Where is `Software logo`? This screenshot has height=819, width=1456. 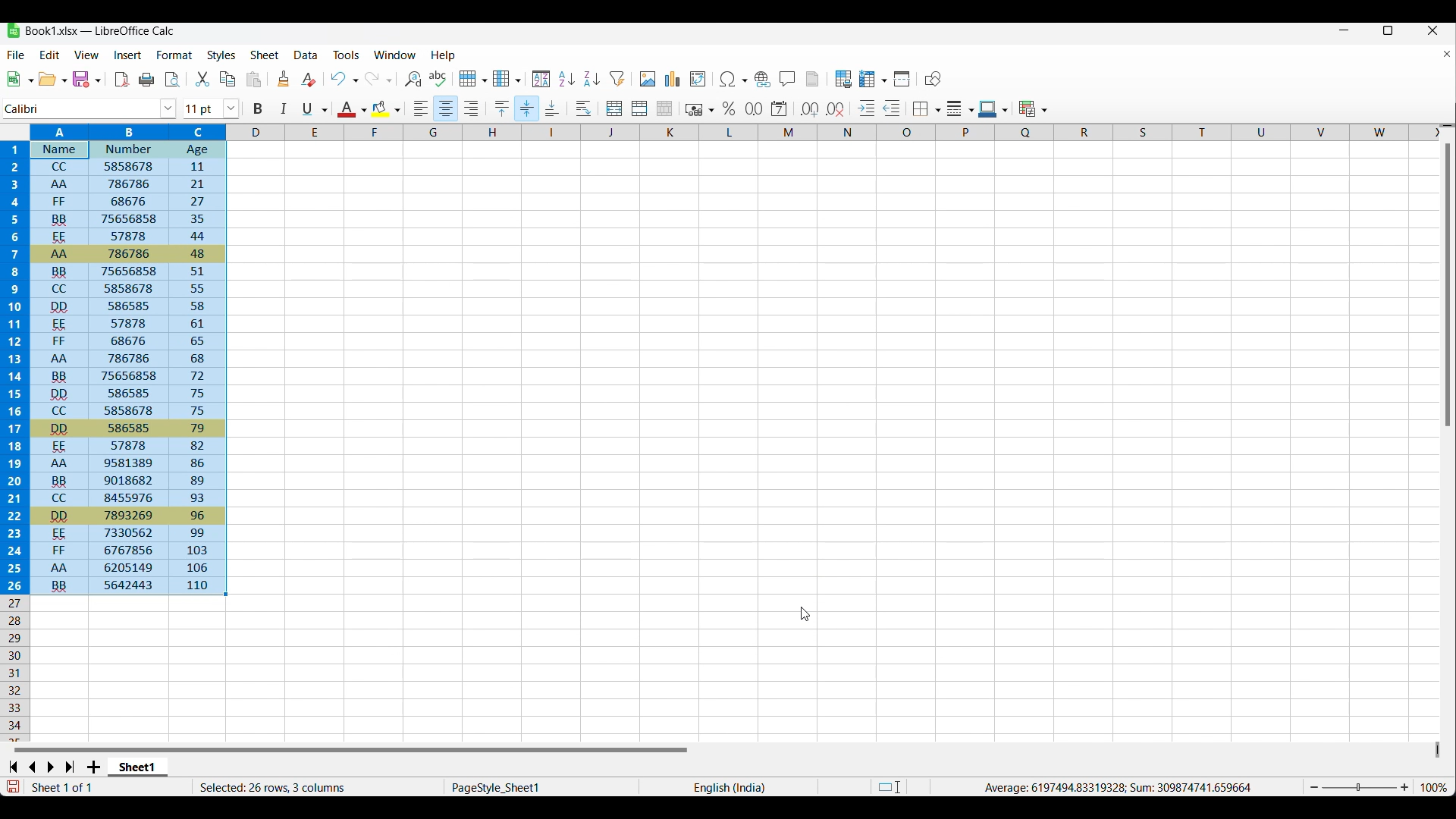 Software logo is located at coordinates (14, 30).